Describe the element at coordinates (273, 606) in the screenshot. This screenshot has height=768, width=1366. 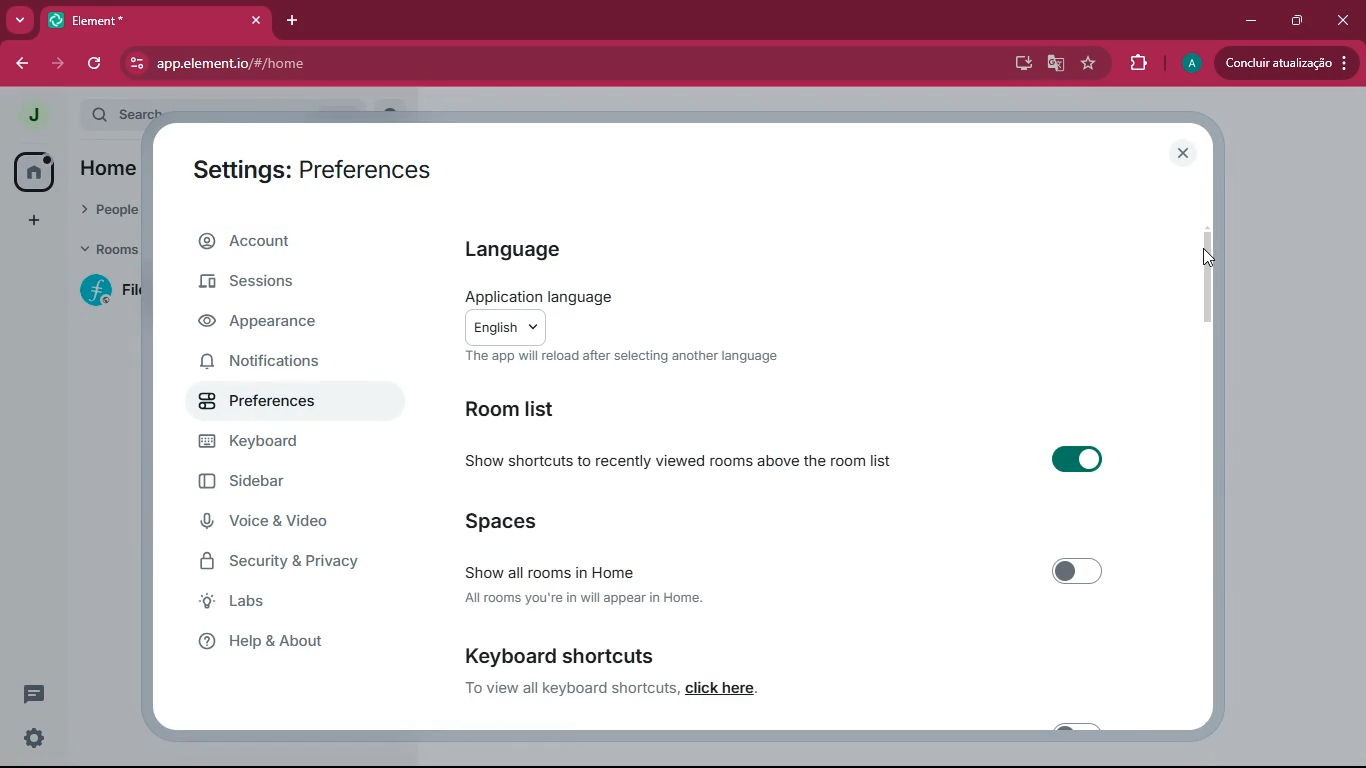
I see `labs` at that location.